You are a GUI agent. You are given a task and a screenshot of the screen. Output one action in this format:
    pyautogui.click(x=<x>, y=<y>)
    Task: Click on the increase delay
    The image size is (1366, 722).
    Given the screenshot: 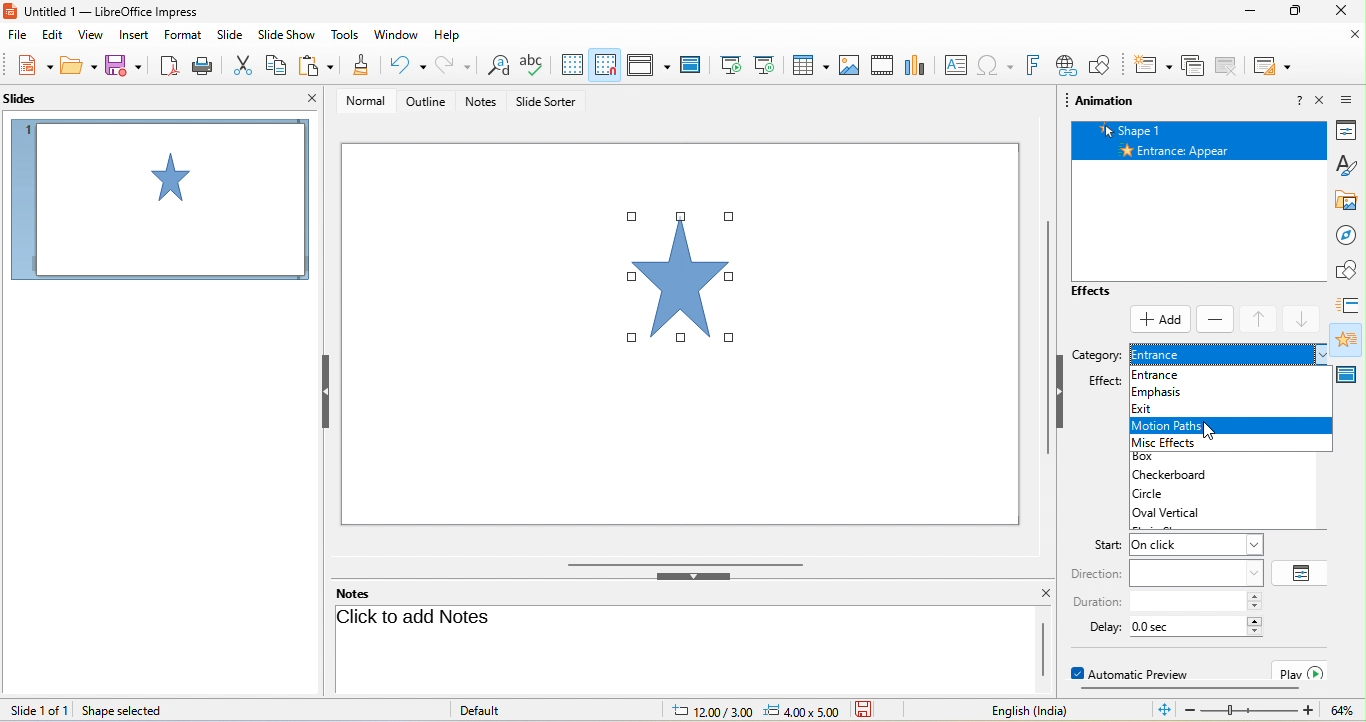 What is the action you would take?
    pyautogui.click(x=1255, y=620)
    